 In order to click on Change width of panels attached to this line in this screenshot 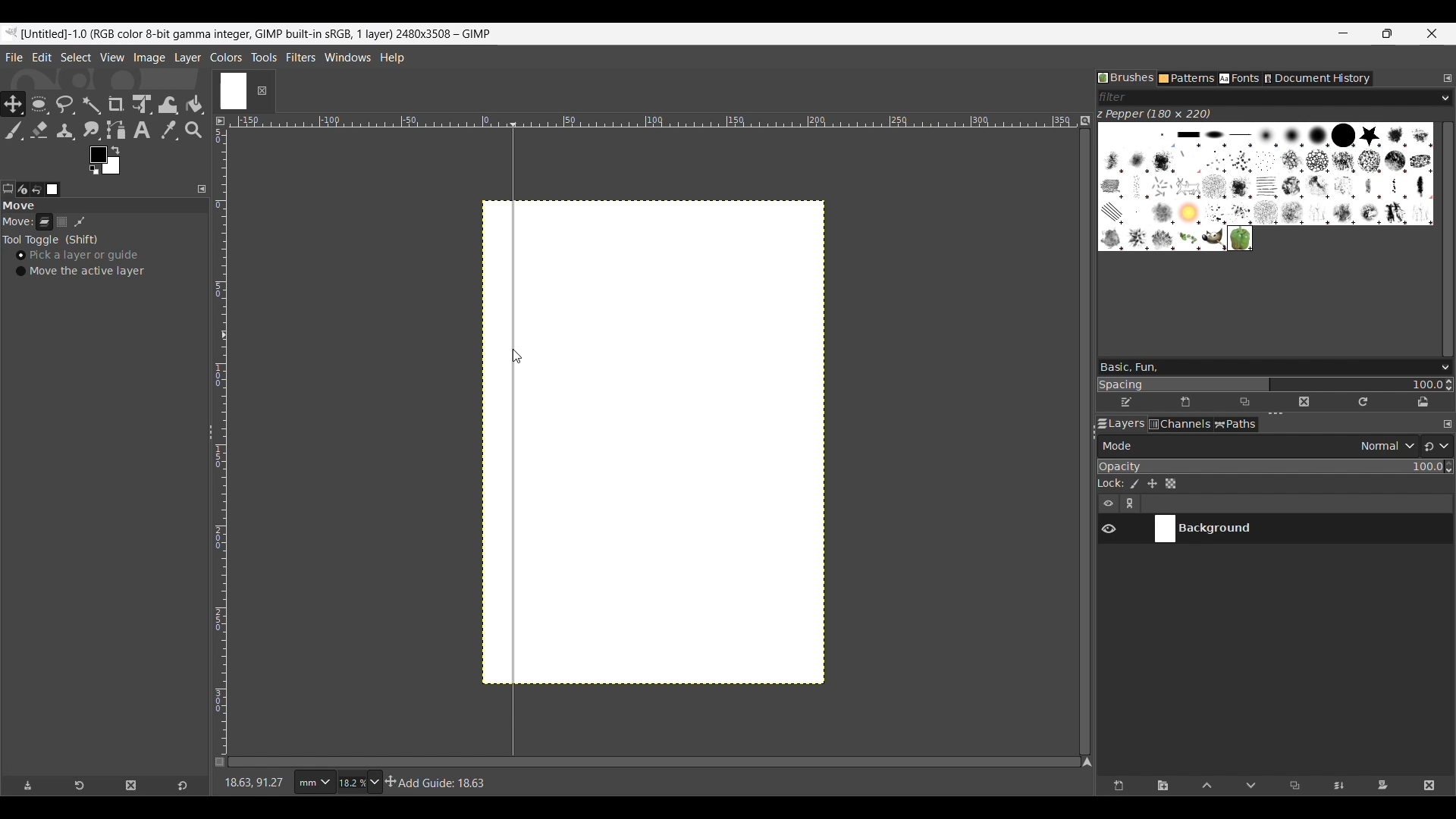, I will do `click(1079, 437)`.